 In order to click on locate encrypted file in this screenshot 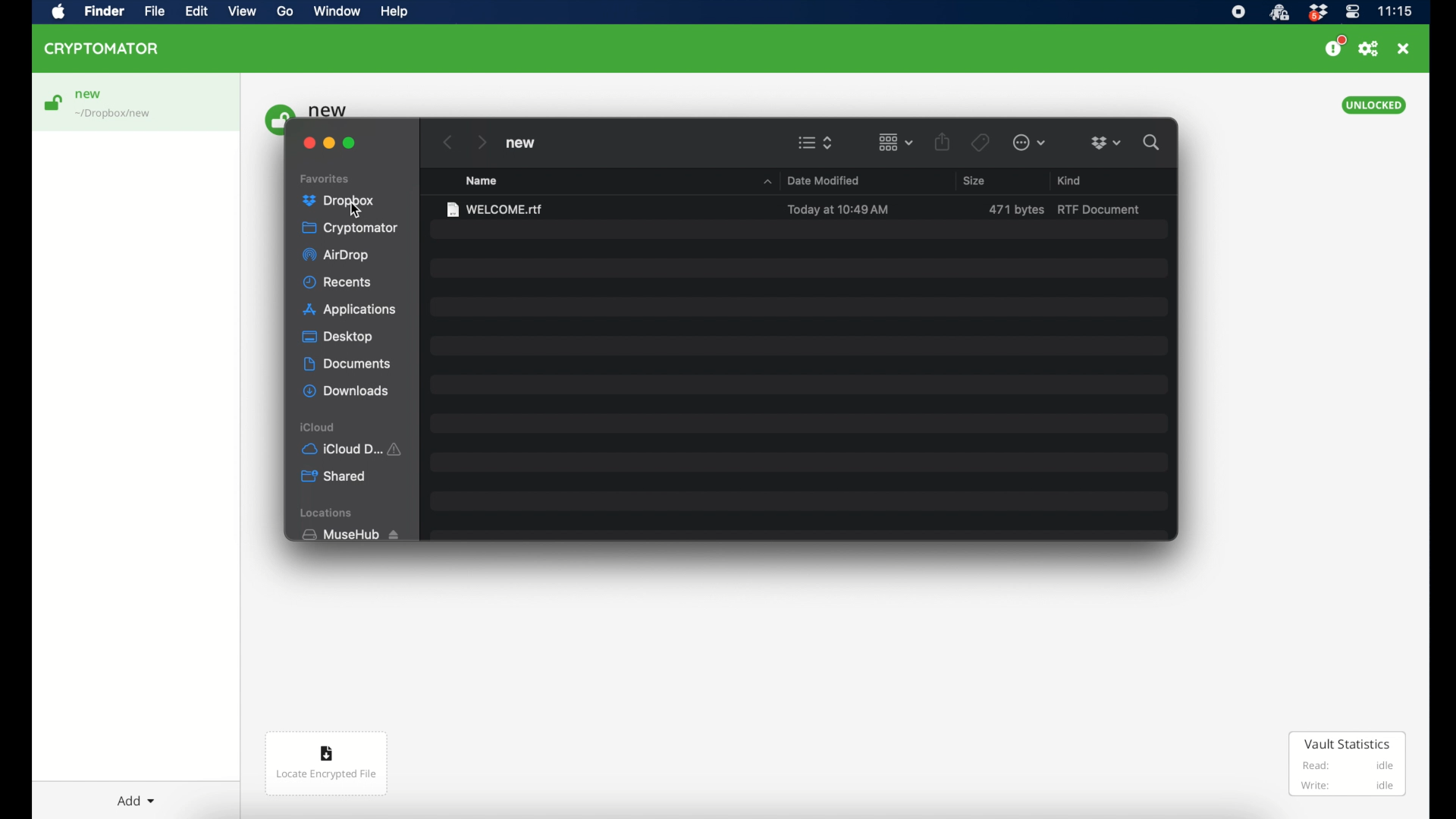, I will do `click(327, 764)`.